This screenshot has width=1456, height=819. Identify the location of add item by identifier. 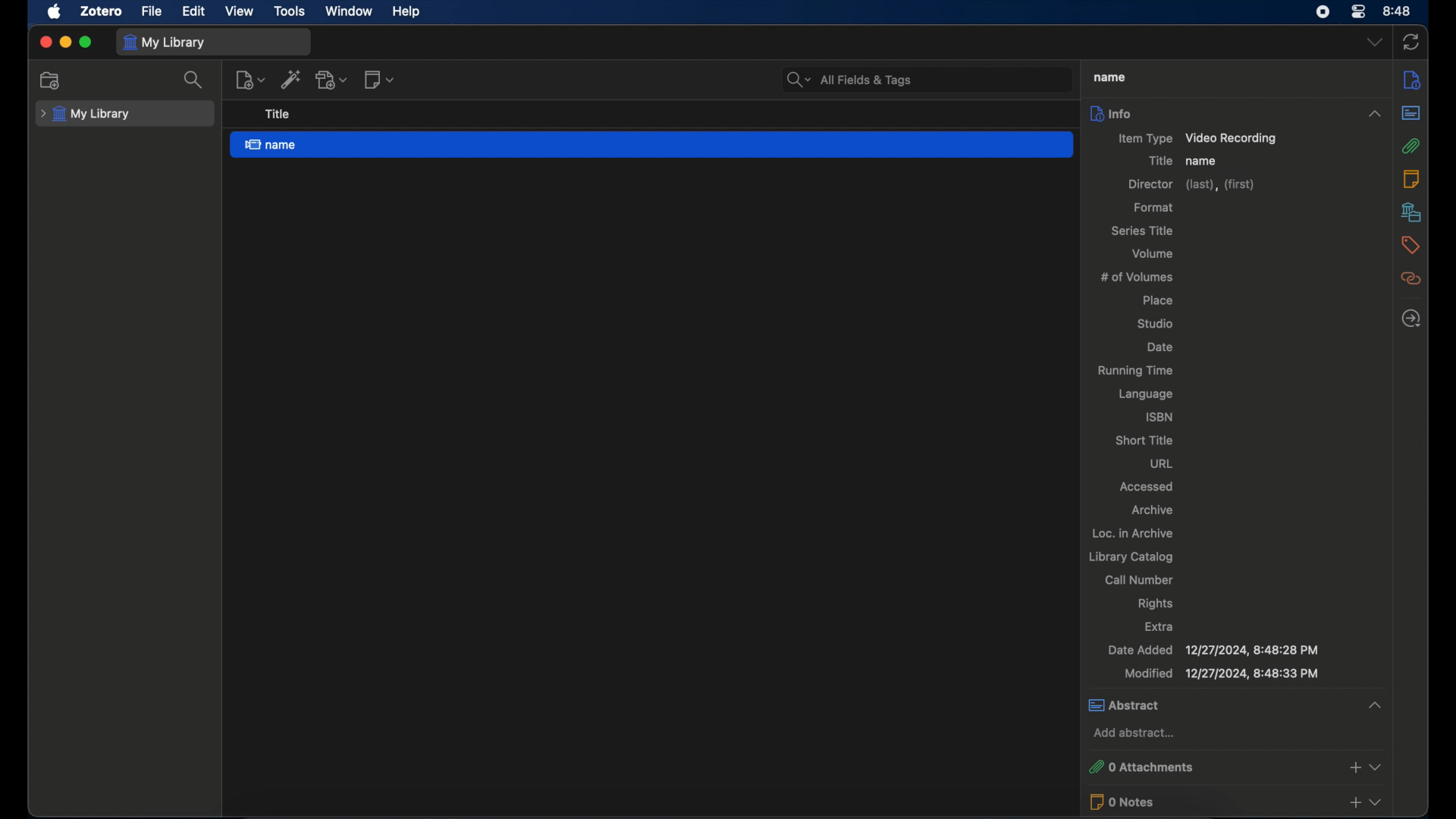
(292, 80).